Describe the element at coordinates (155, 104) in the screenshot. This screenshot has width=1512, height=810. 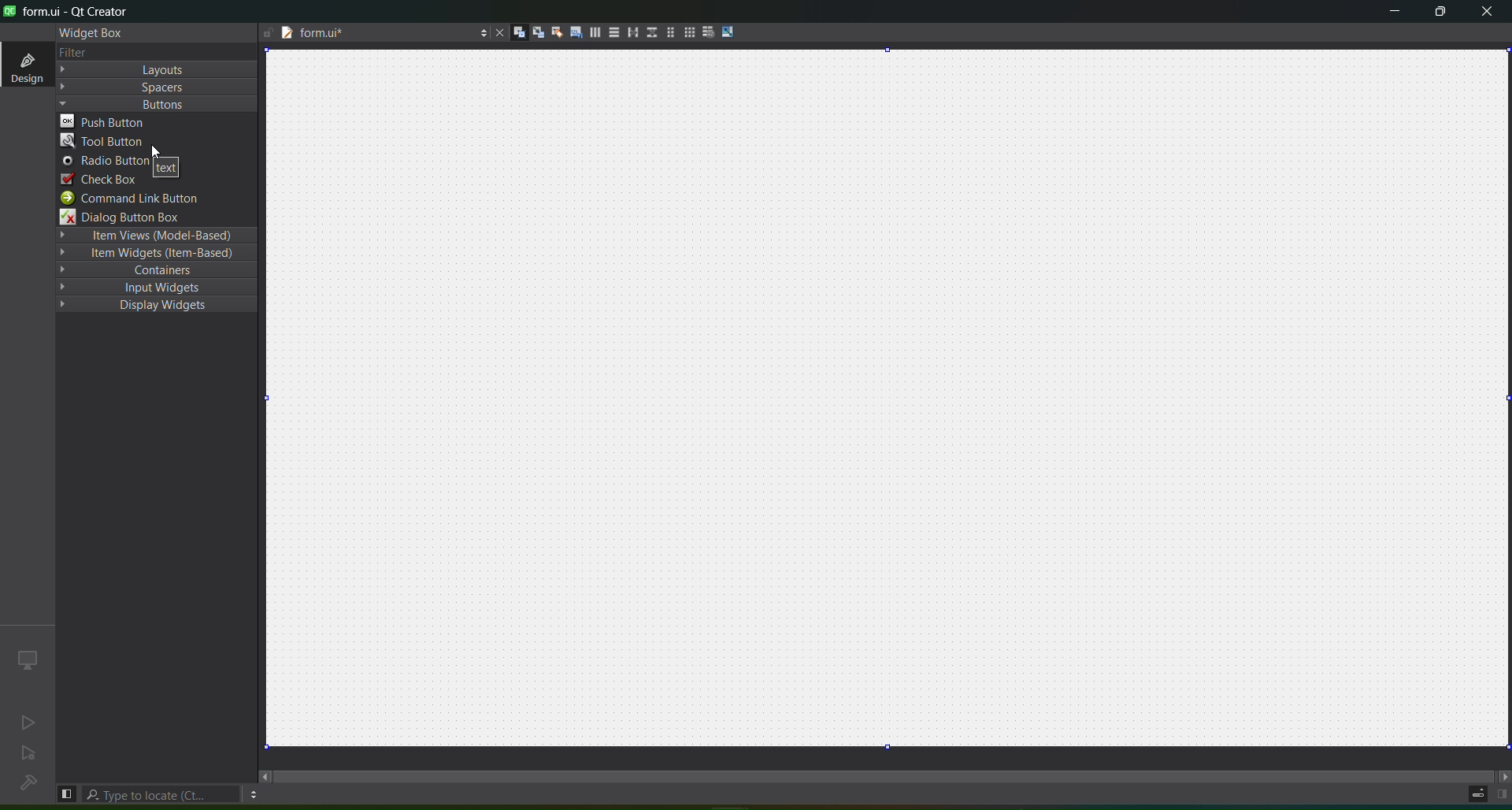
I see `Buttons` at that location.